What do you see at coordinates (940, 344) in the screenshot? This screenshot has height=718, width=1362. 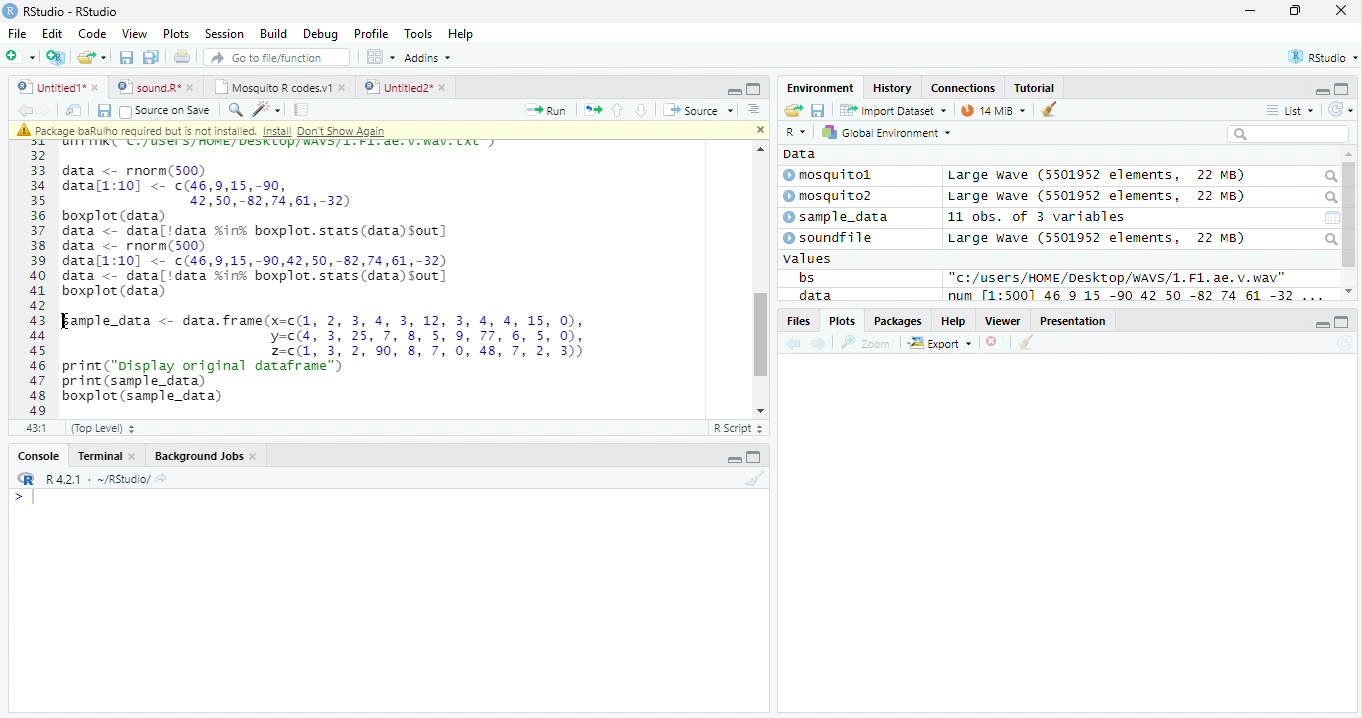 I see `Export` at bounding box center [940, 344].